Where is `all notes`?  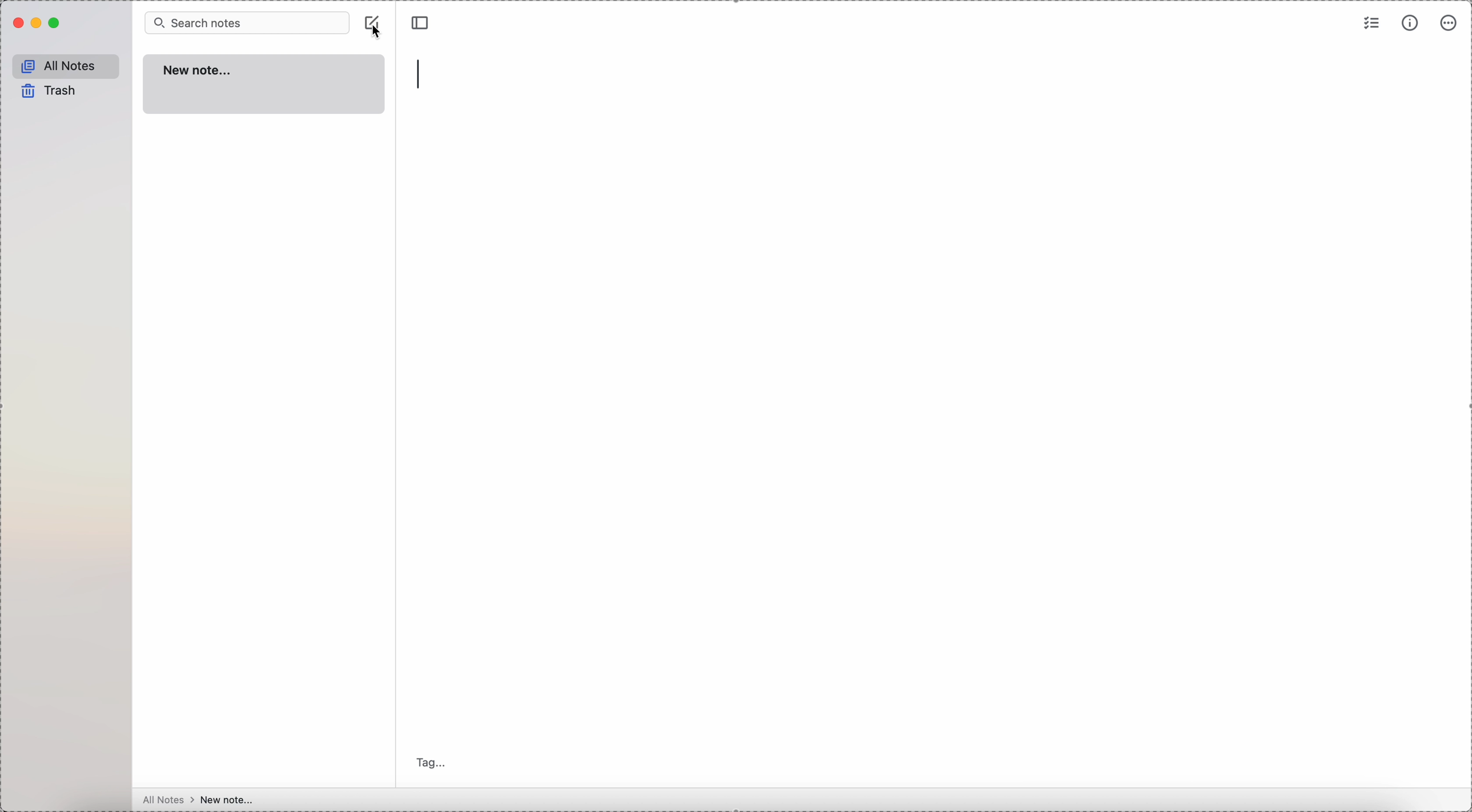 all notes is located at coordinates (66, 66).